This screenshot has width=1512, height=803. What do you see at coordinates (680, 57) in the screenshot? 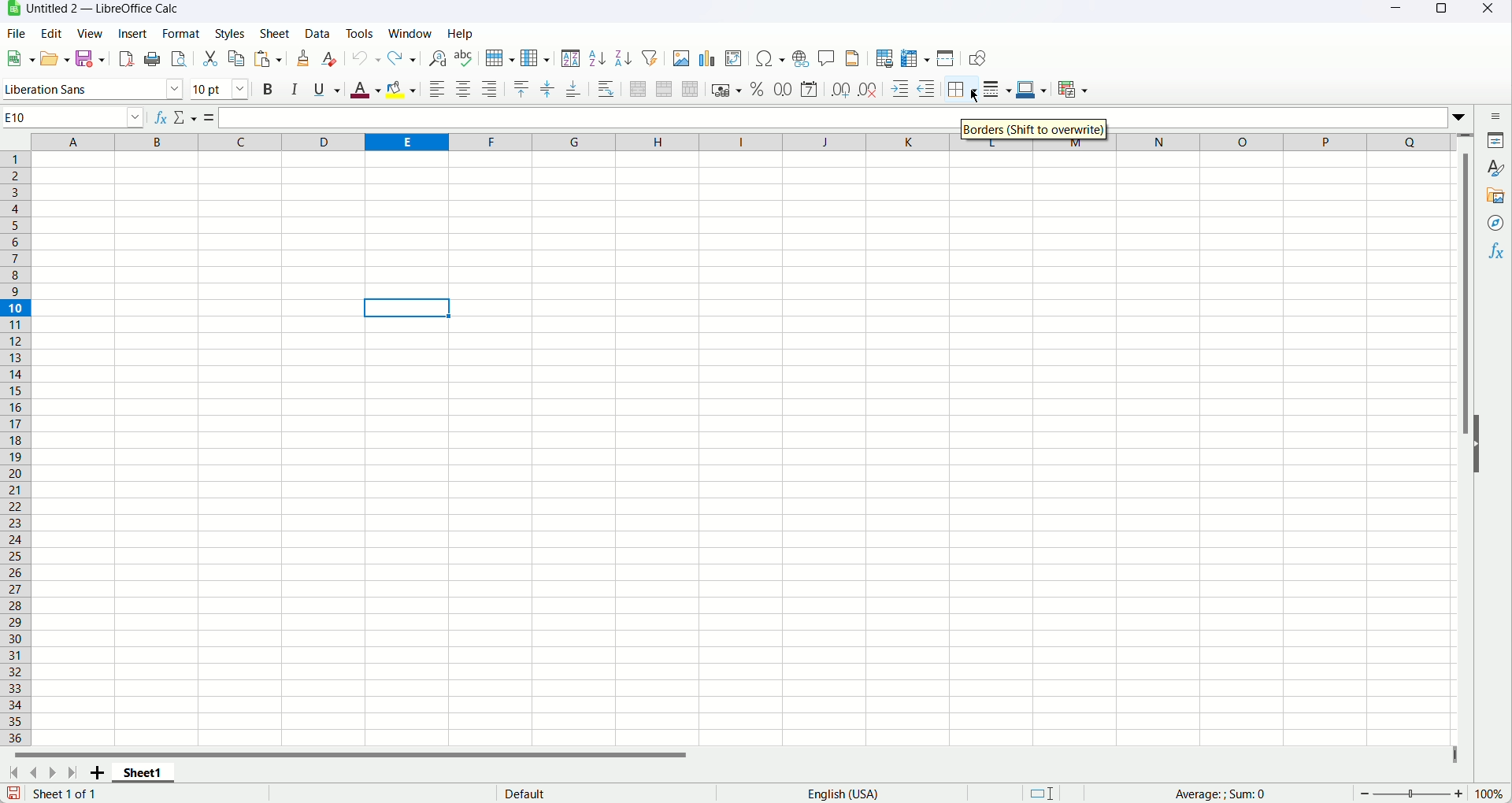
I see `Insert image` at bounding box center [680, 57].